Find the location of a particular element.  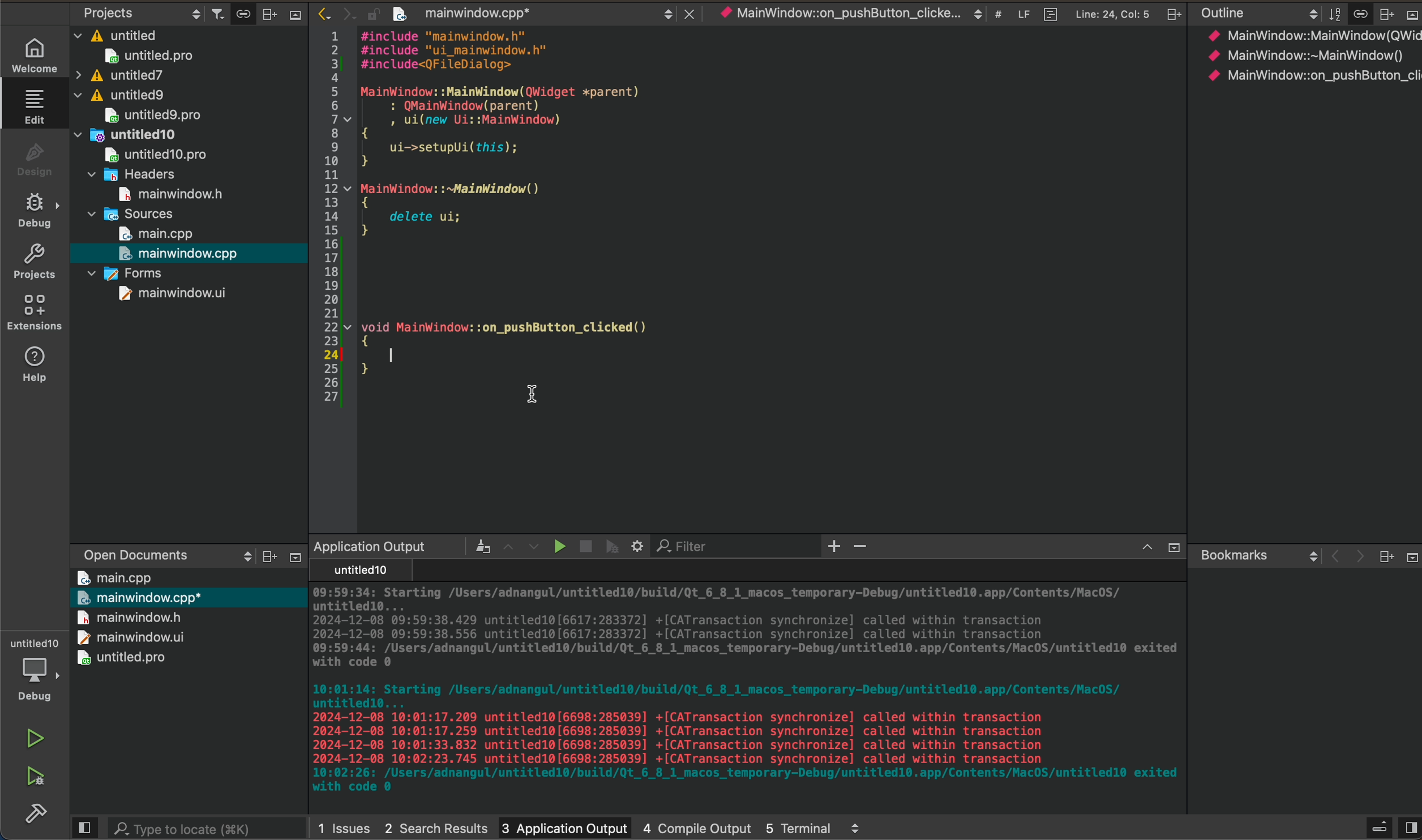

help is located at coordinates (33, 368).